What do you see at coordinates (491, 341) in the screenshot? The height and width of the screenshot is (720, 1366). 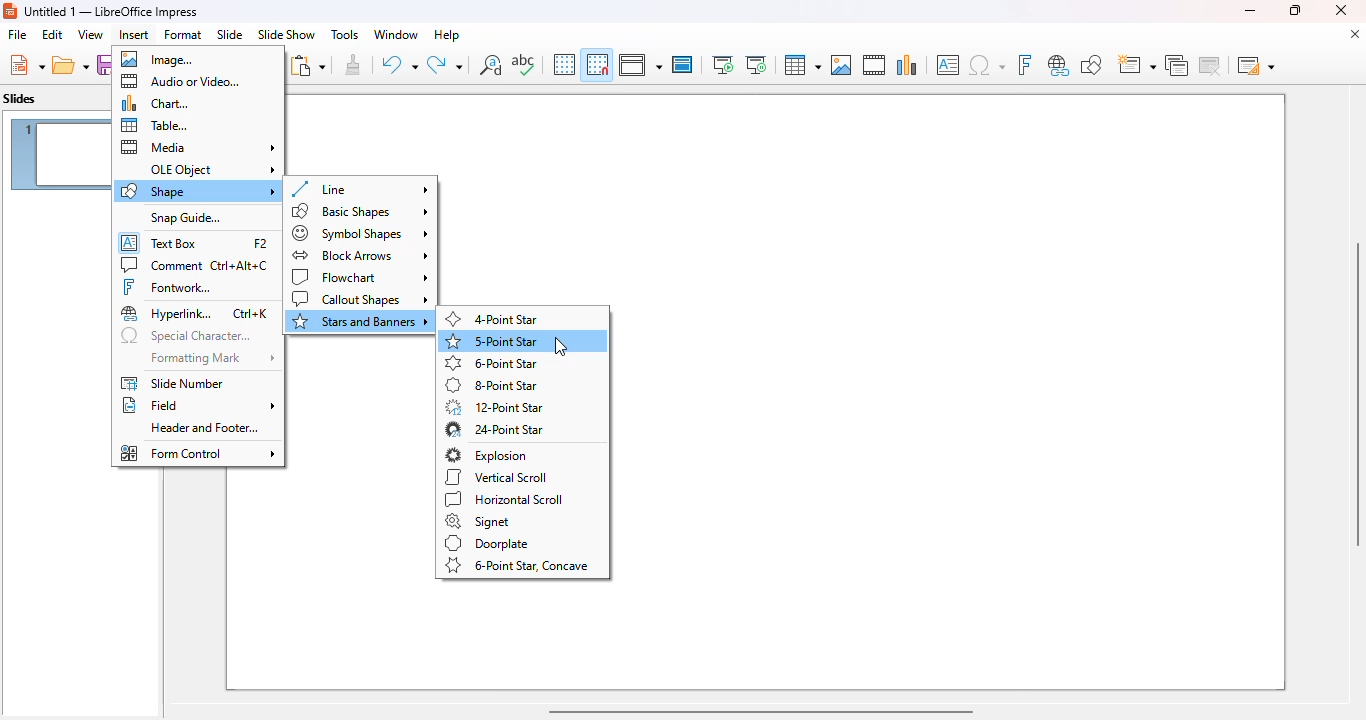 I see `5-point star` at bounding box center [491, 341].